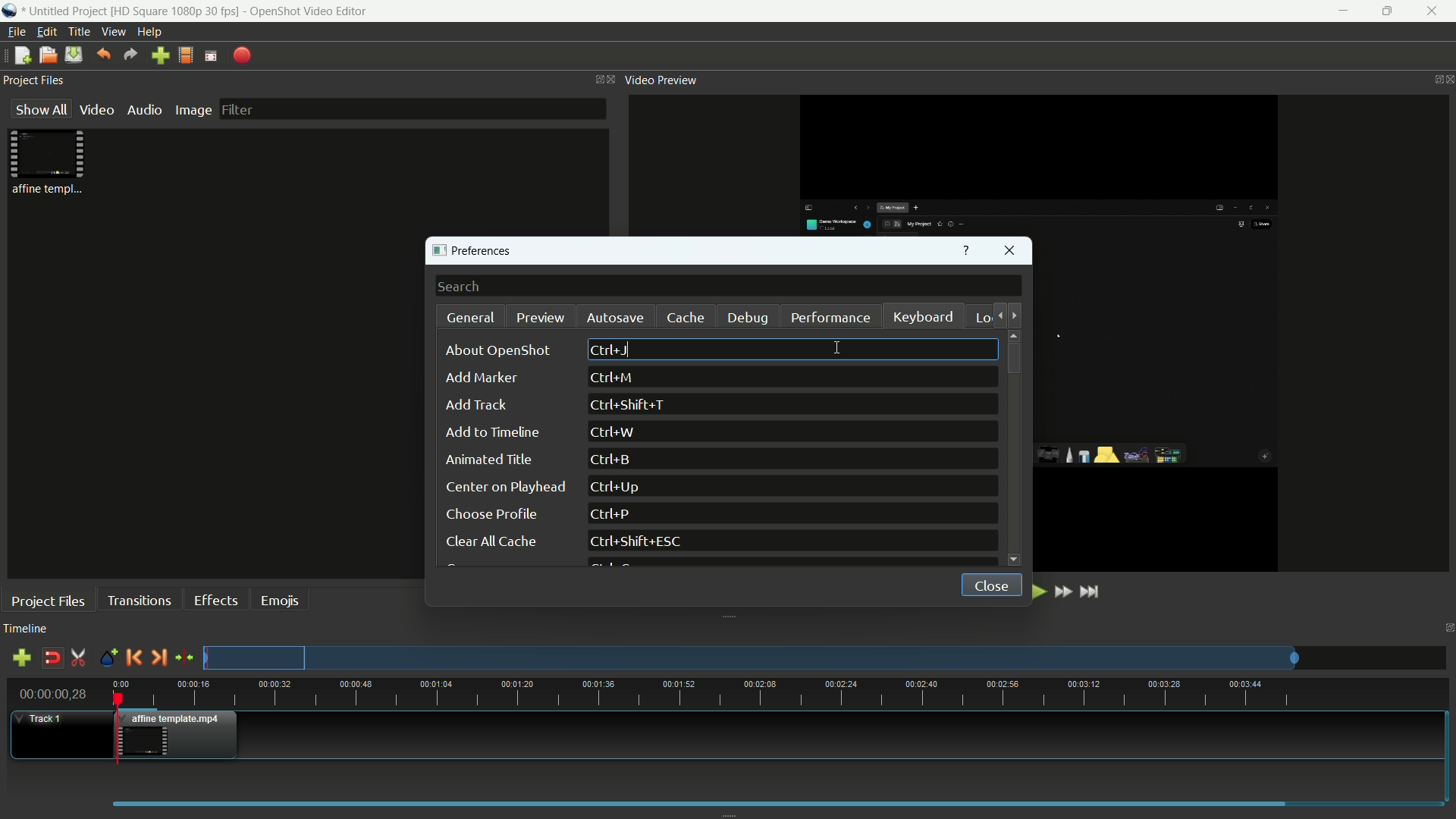  What do you see at coordinates (1037, 591) in the screenshot?
I see `play or pause` at bounding box center [1037, 591].